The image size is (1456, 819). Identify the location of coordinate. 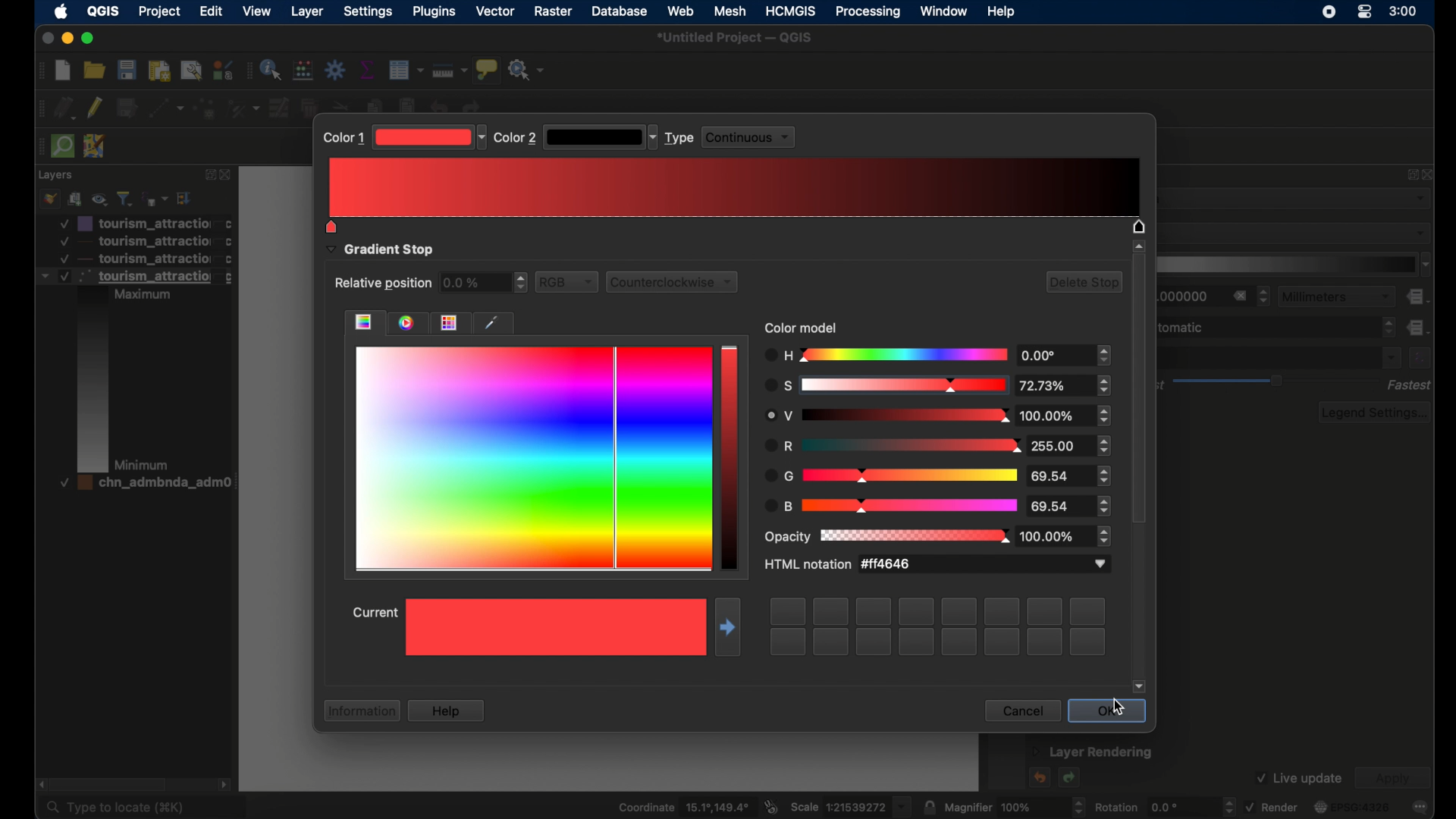
(679, 806).